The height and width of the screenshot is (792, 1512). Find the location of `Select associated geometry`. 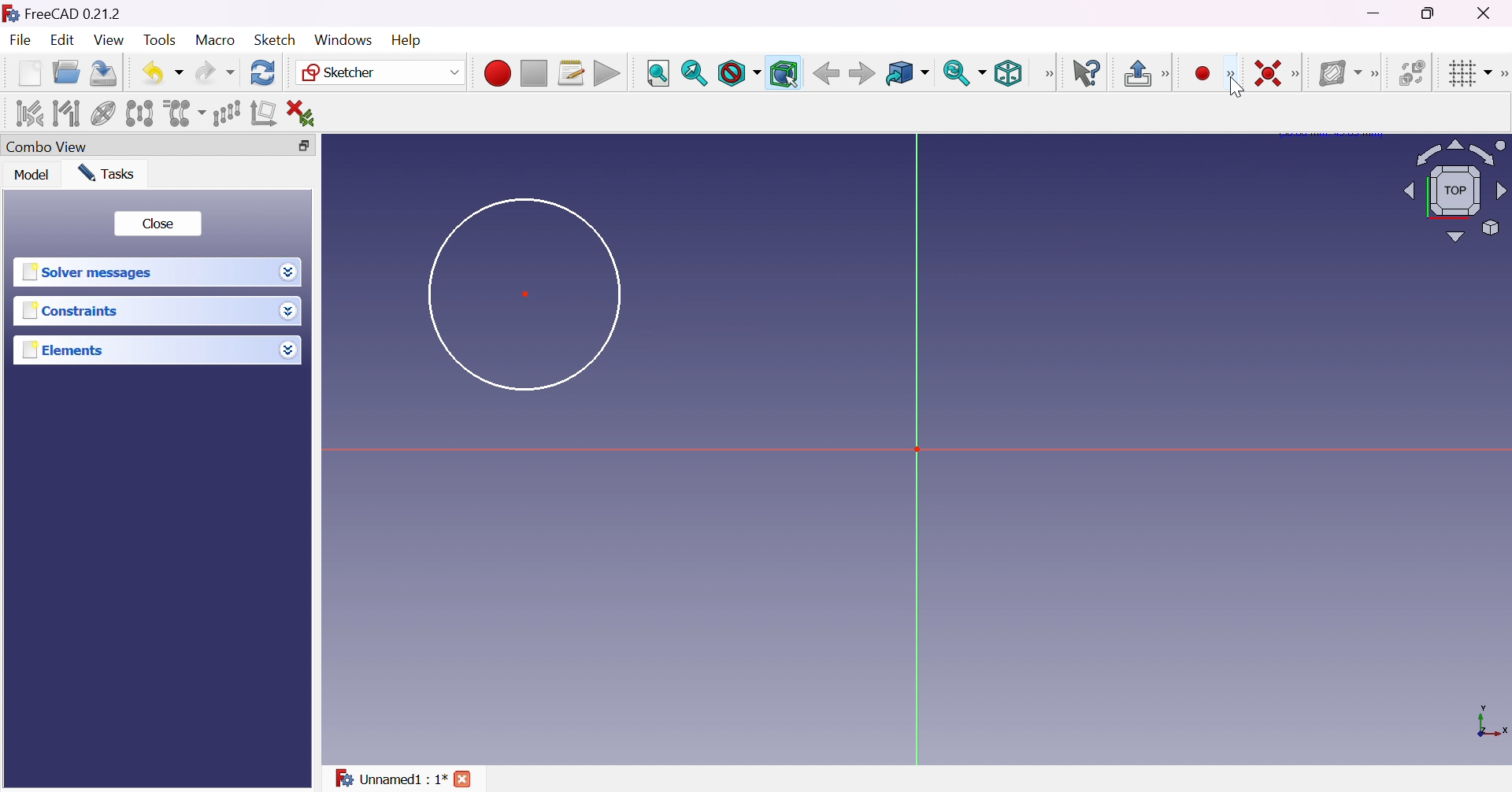

Select associated geometry is located at coordinates (67, 112).